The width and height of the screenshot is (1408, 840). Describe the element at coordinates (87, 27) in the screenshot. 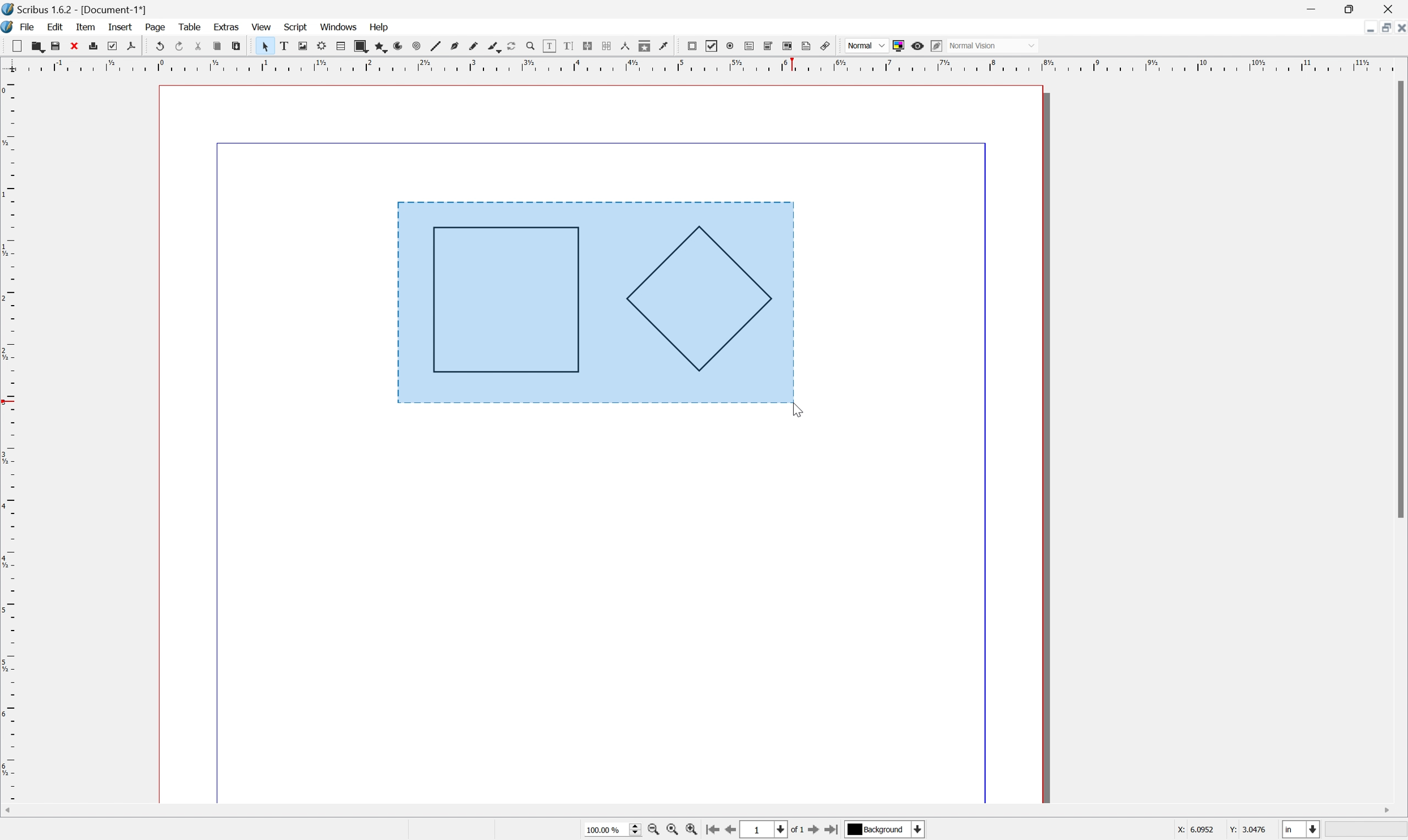

I see `item` at that location.